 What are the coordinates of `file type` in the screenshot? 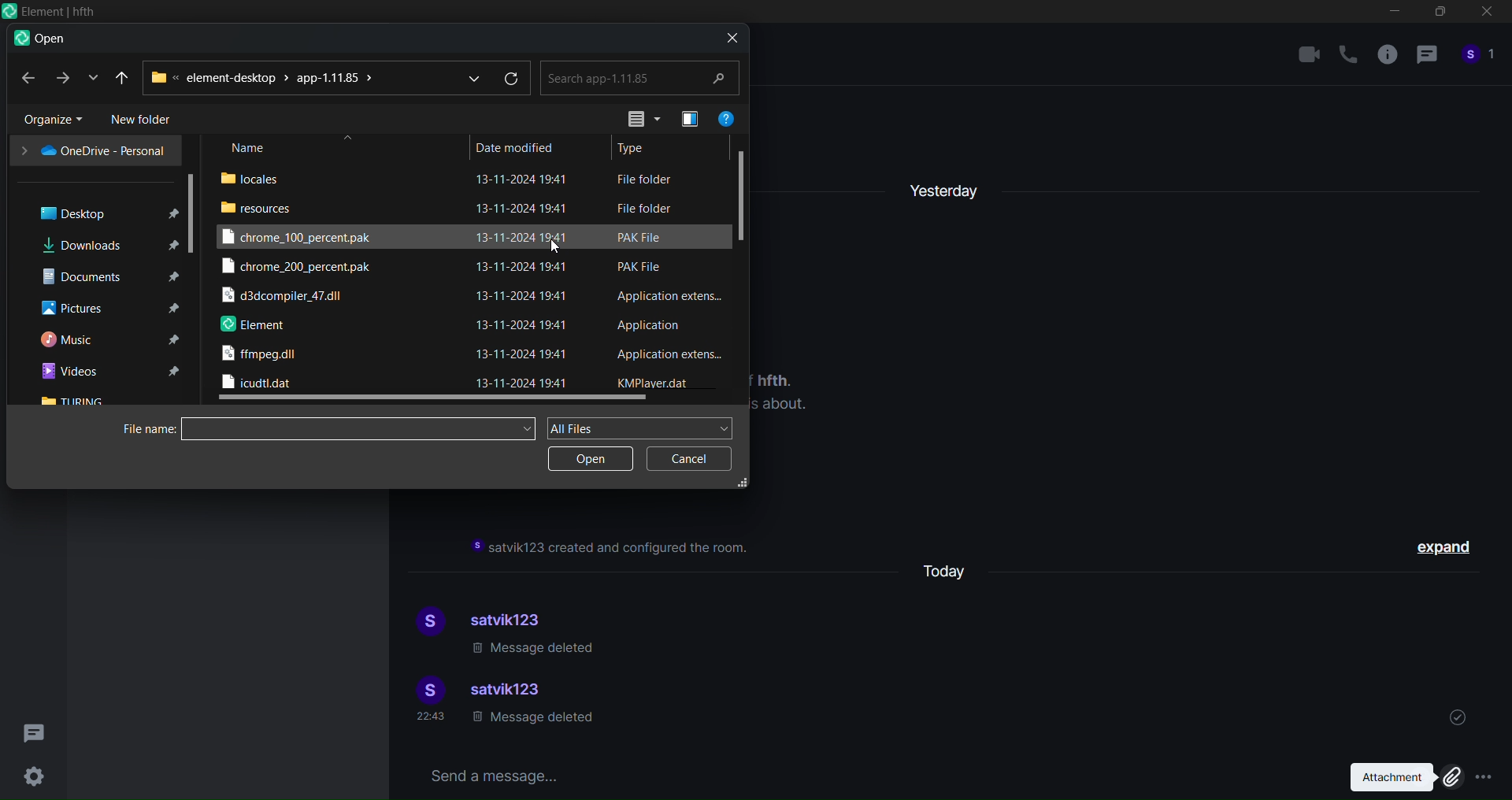 It's located at (668, 280).